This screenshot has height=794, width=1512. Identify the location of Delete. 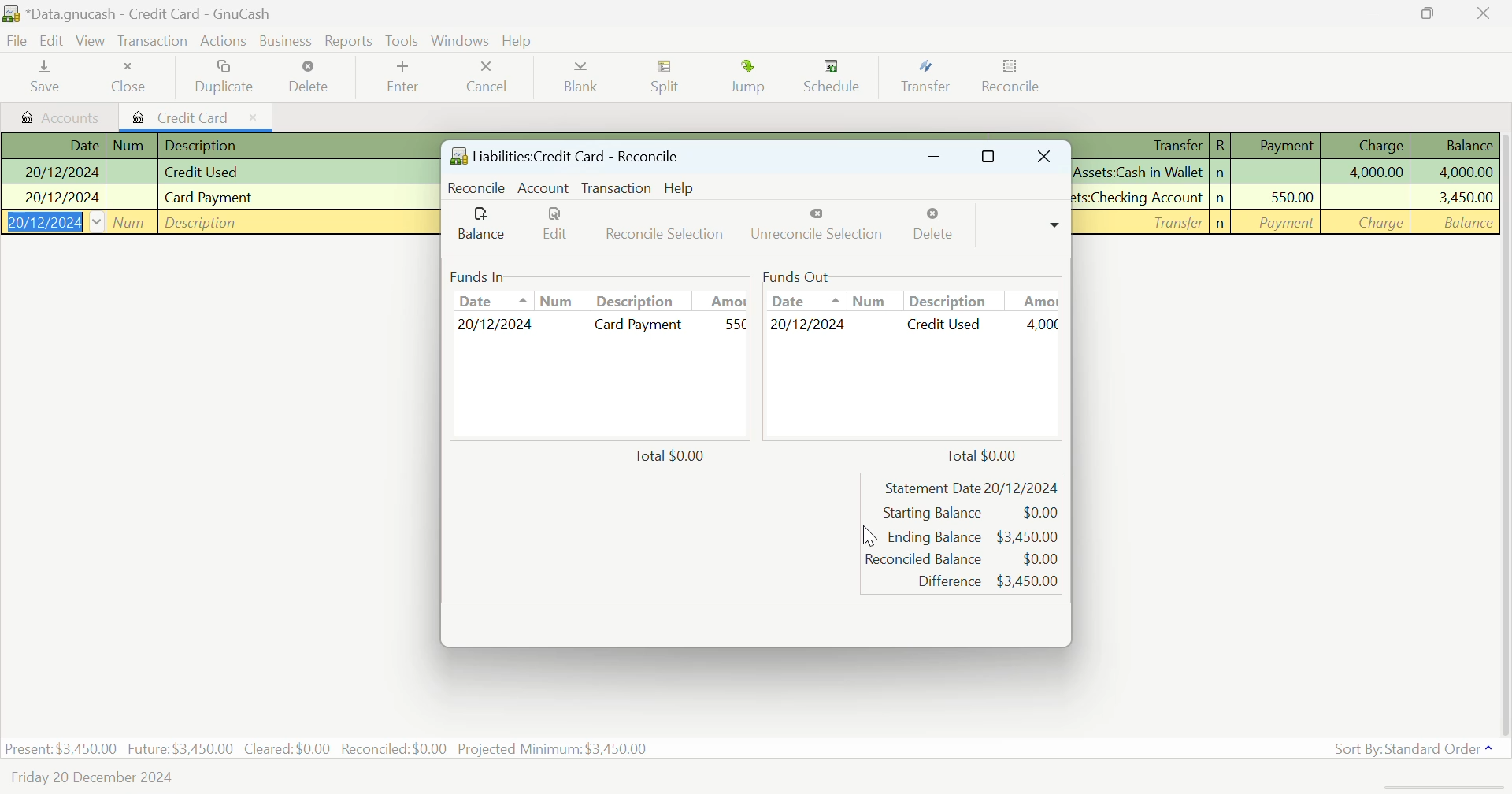
(932, 228).